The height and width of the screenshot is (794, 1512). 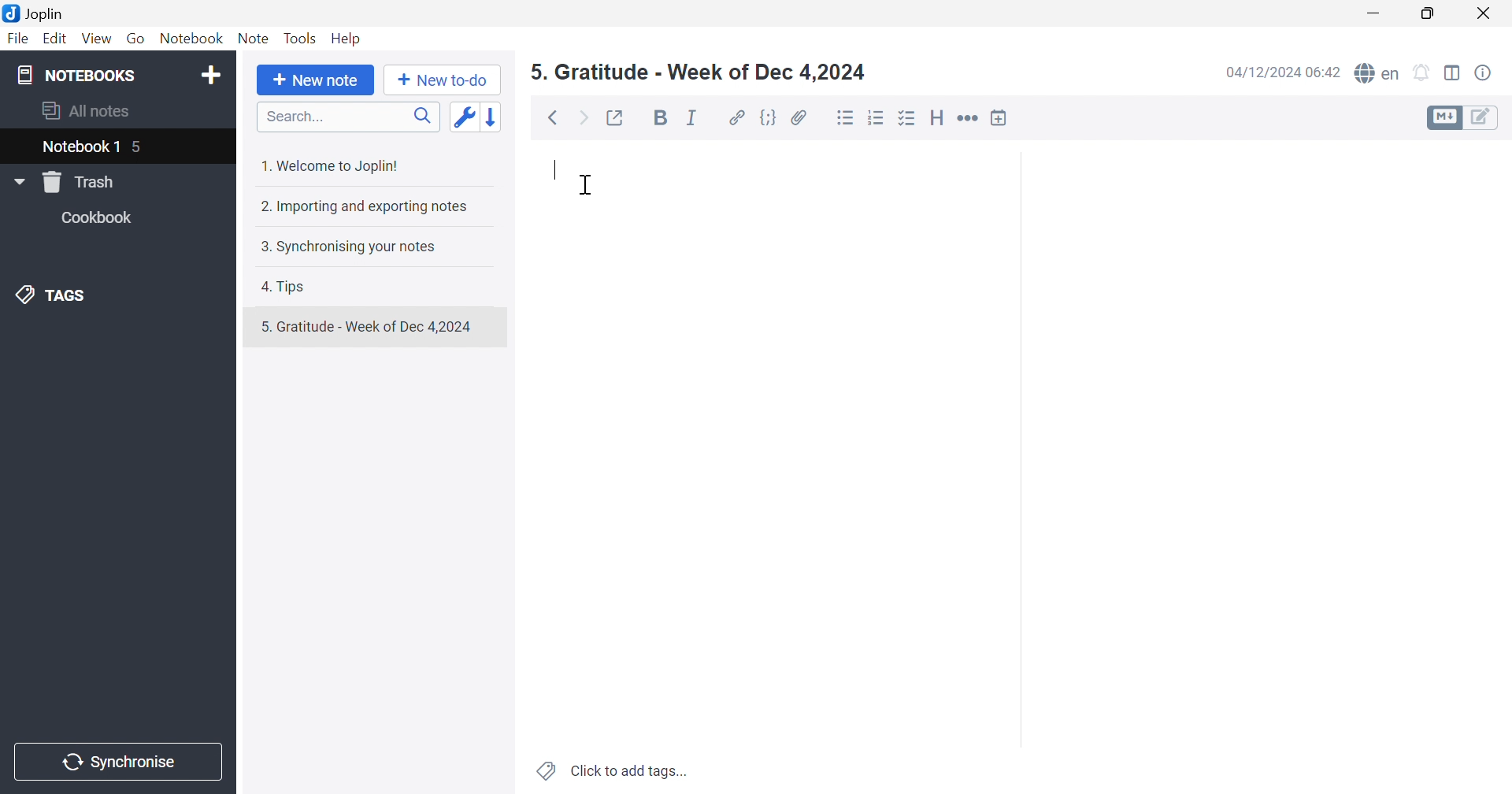 I want to click on Help, so click(x=348, y=39).